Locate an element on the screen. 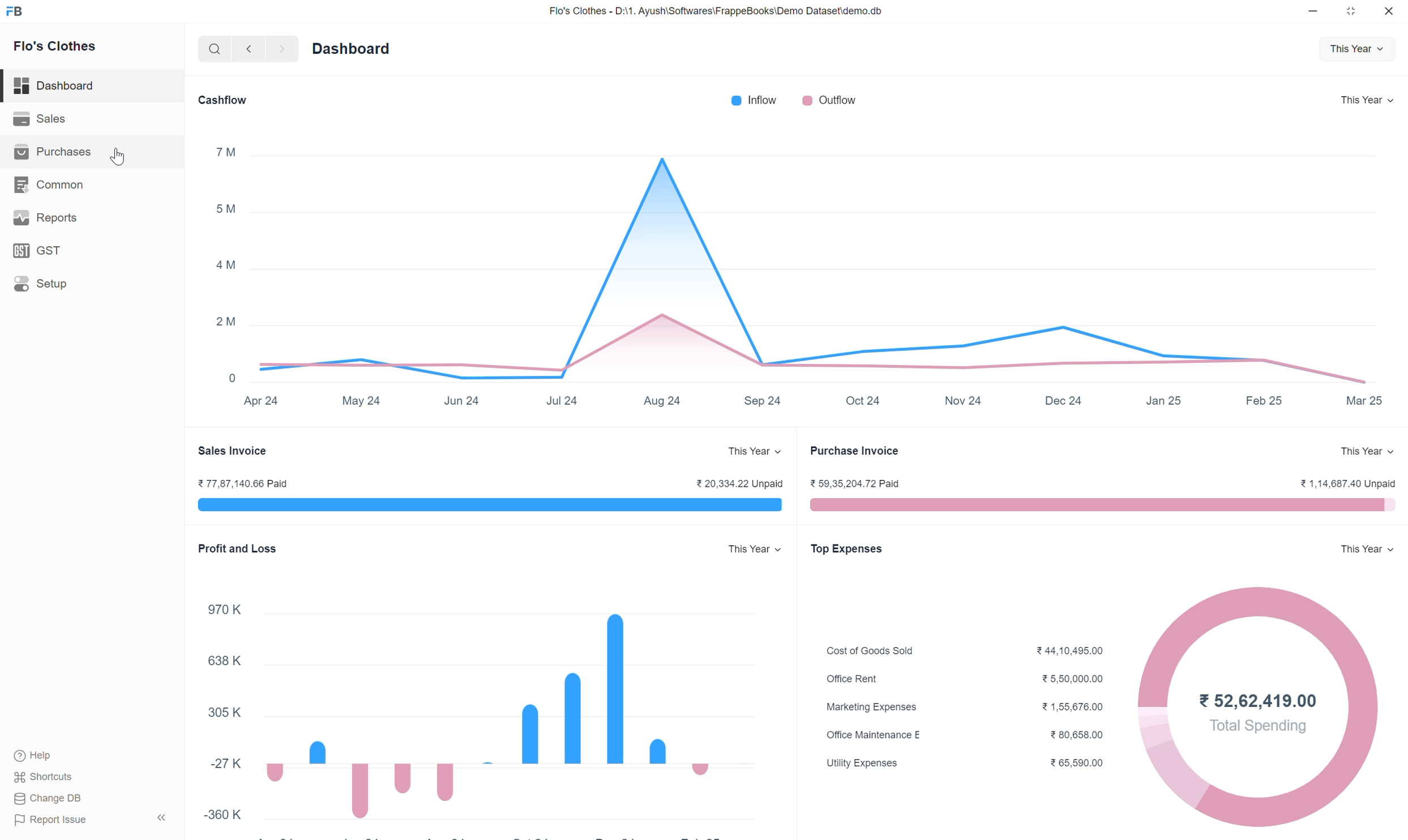 The height and width of the screenshot is (840, 1408). 59,35,204.72 Paid is located at coordinates (854, 483).